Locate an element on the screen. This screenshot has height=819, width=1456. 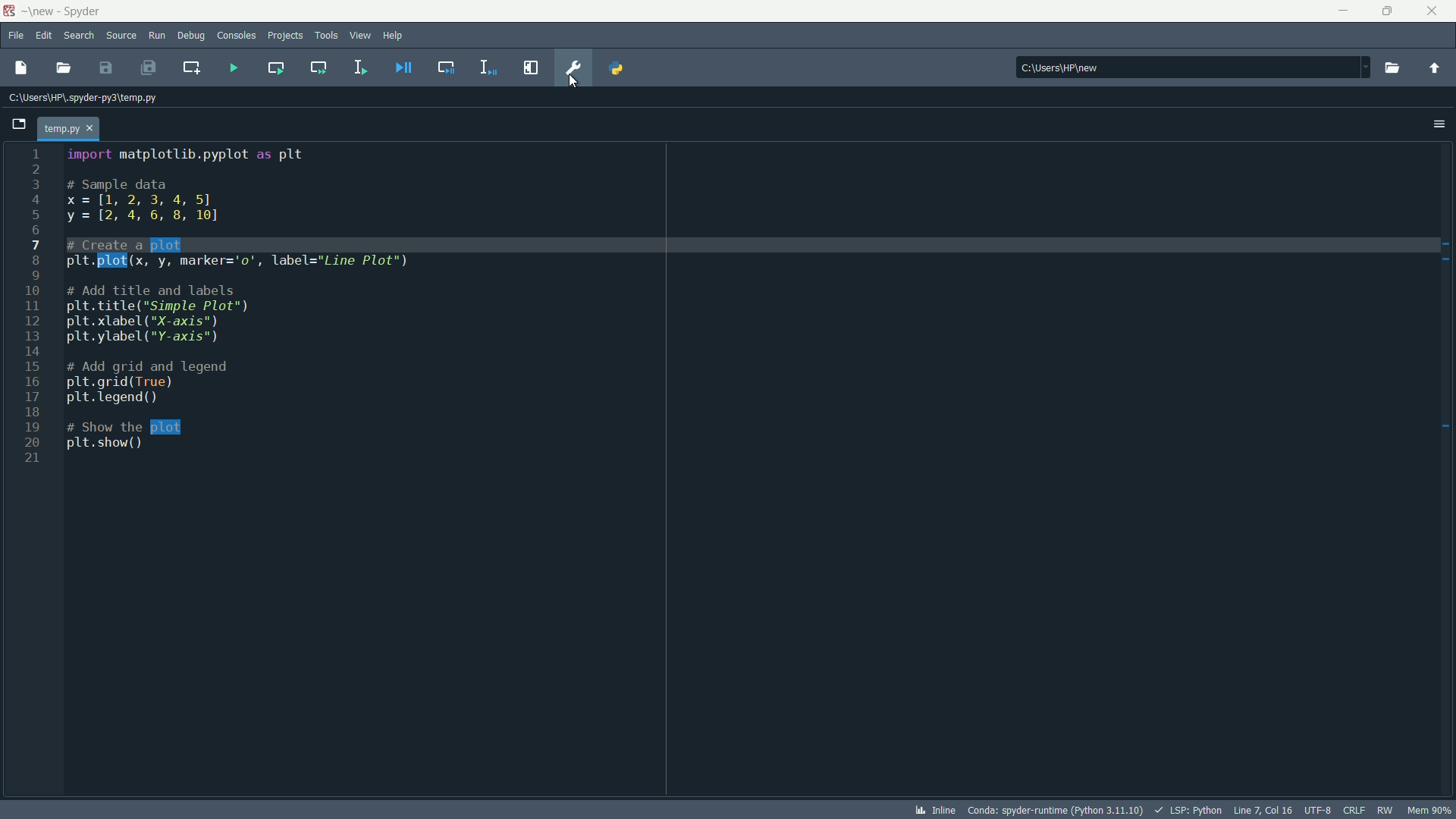
run selection is located at coordinates (360, 68).